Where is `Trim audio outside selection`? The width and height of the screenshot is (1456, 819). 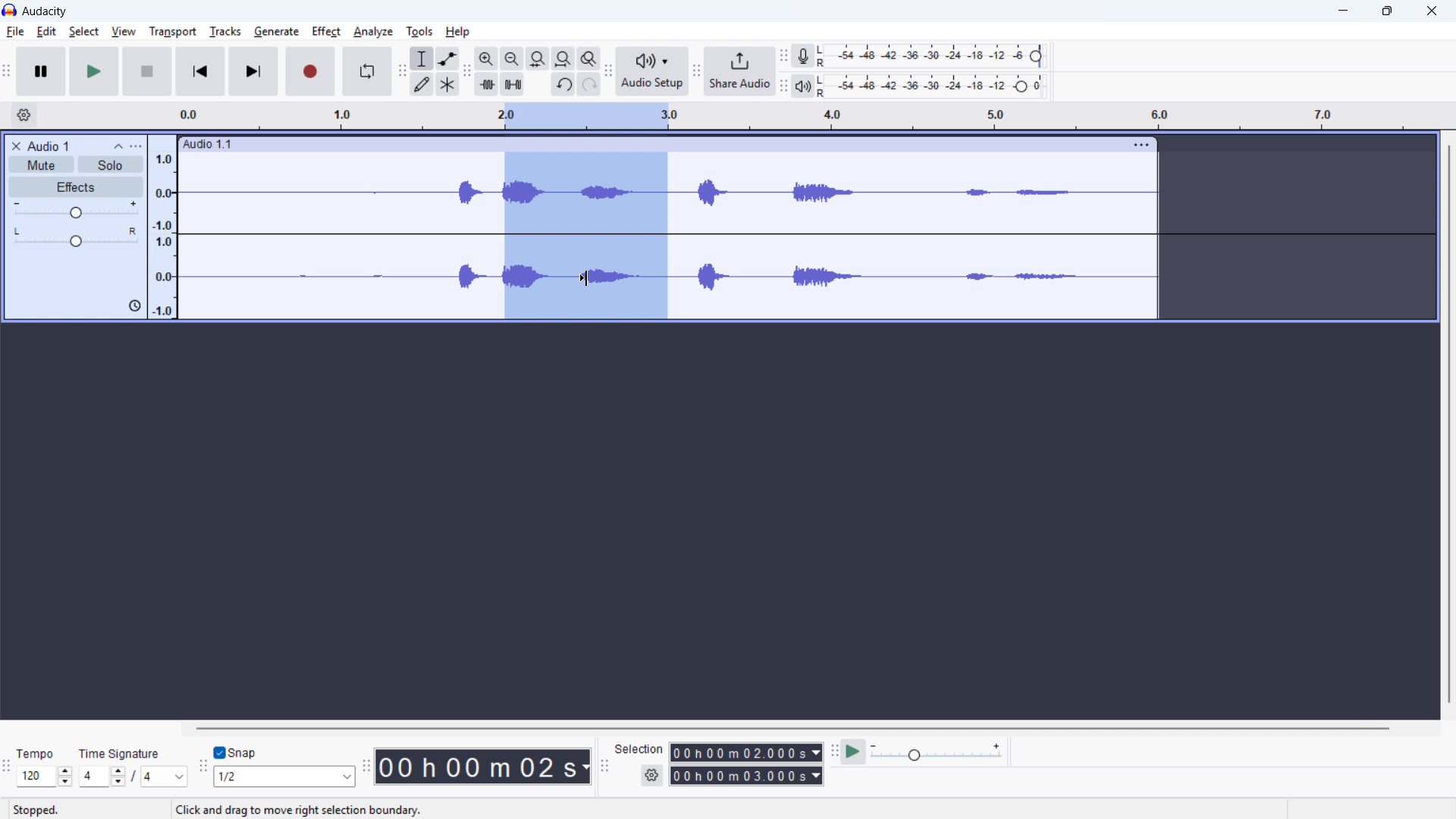 Trim audio outside selection is located at coordinates (487, 84).